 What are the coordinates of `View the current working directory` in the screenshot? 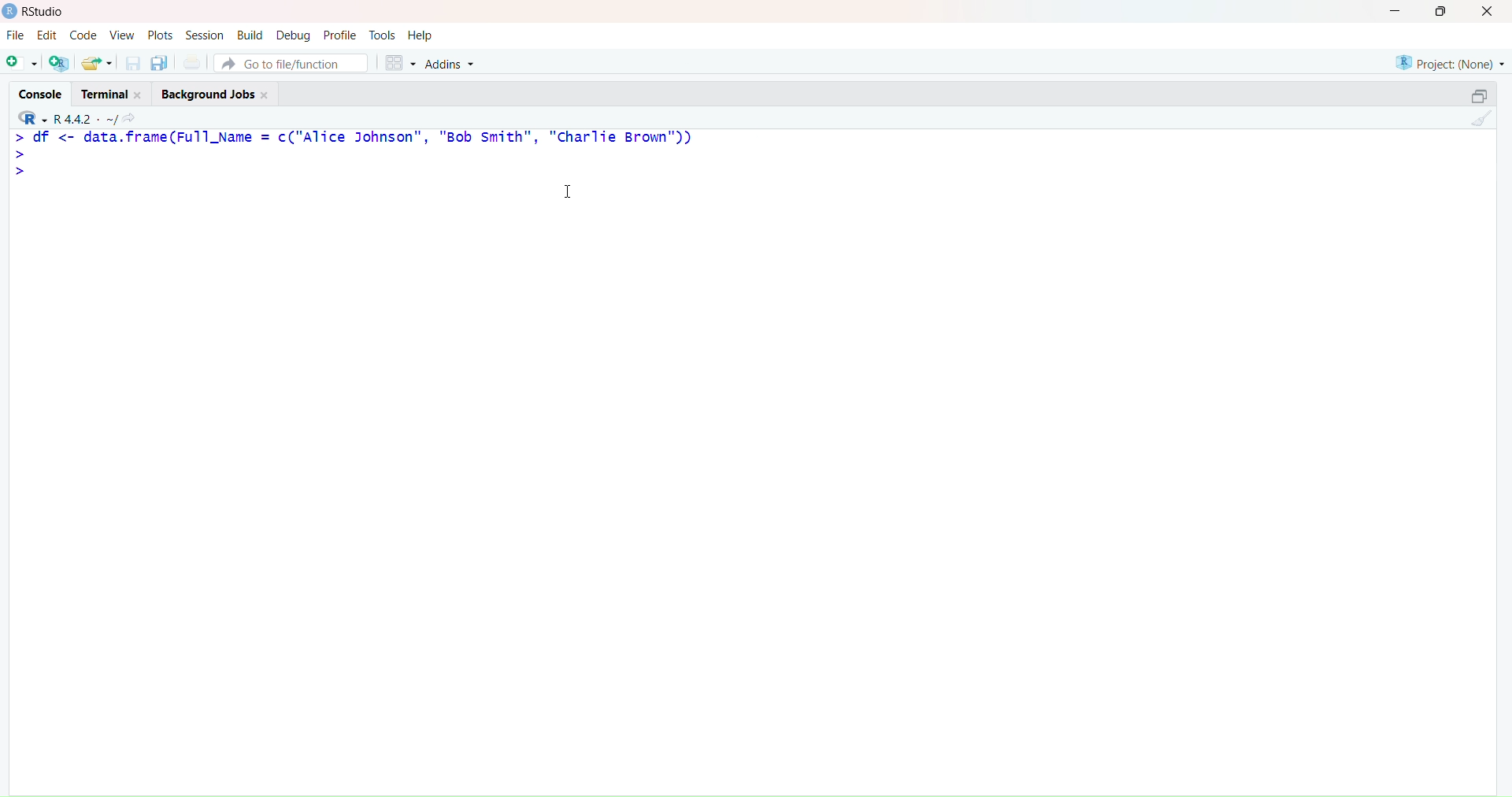 It's located at (132, 117).